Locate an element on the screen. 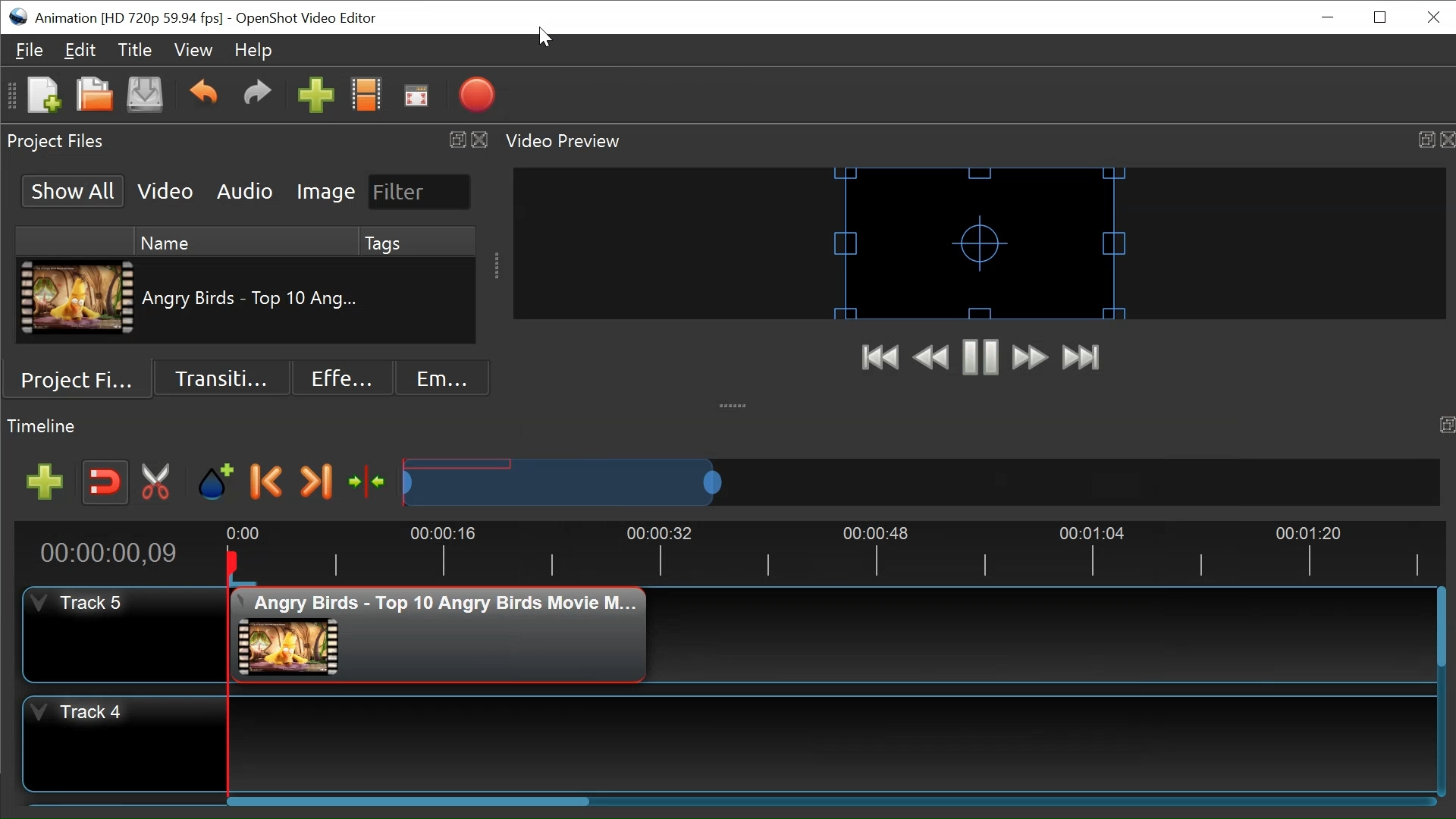 The image size is (1456, 819). New Project is located at coordinates (42, 93).